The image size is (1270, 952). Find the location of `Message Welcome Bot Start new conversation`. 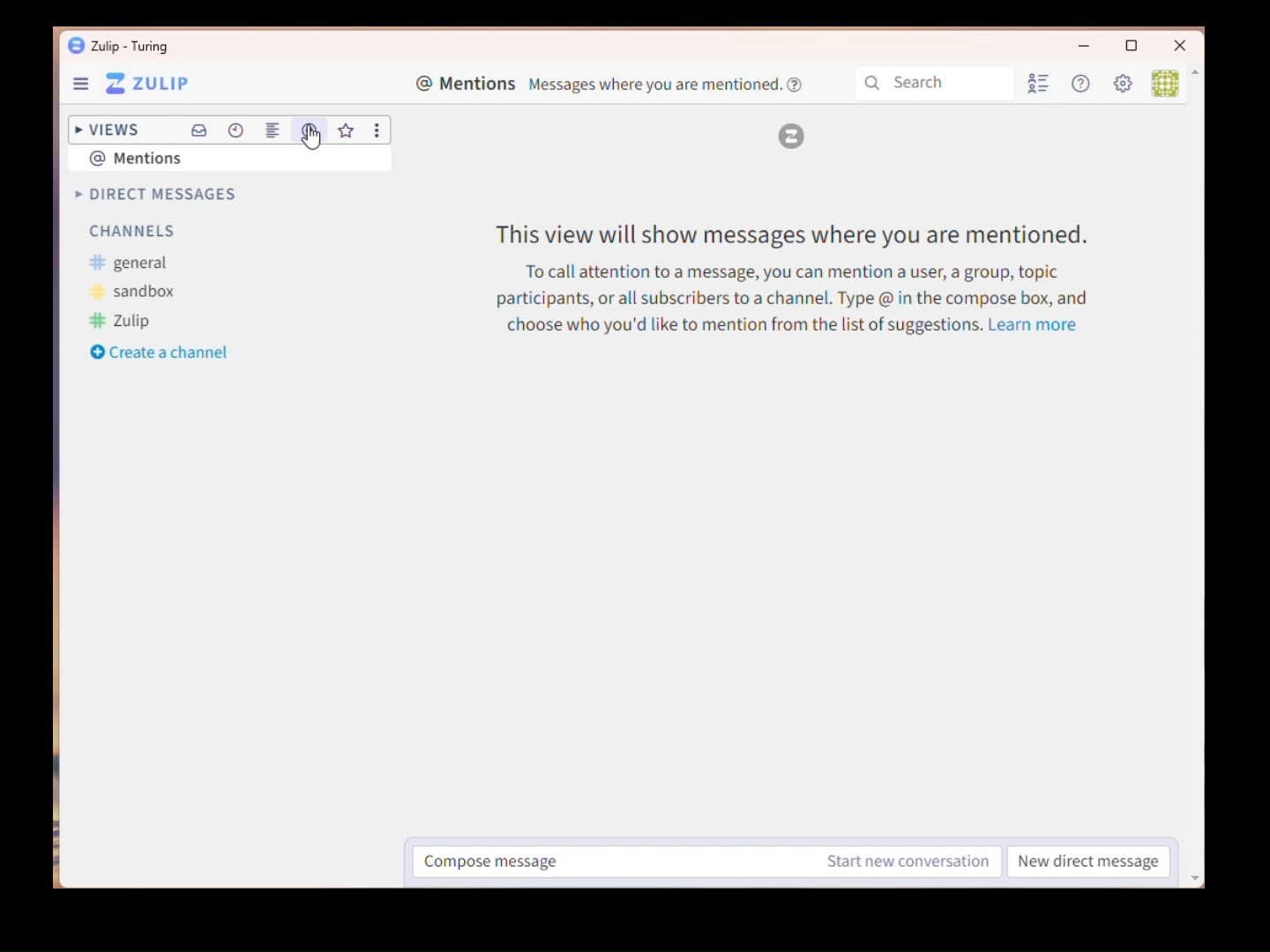

Message Welcome Bot Start new conversation is located at coordinates (709, 862).